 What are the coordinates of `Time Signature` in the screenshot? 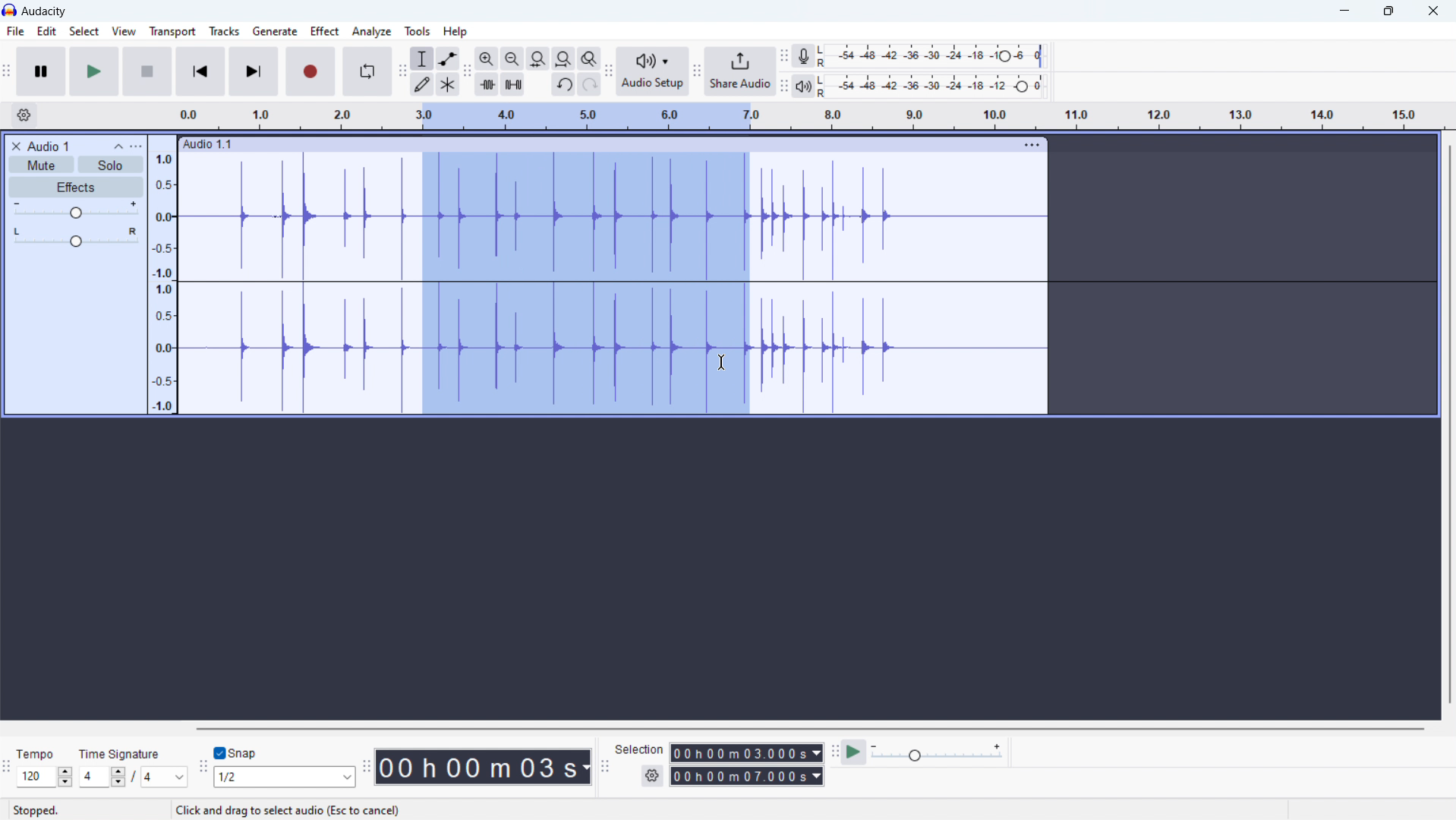 It's located at (125, 750).